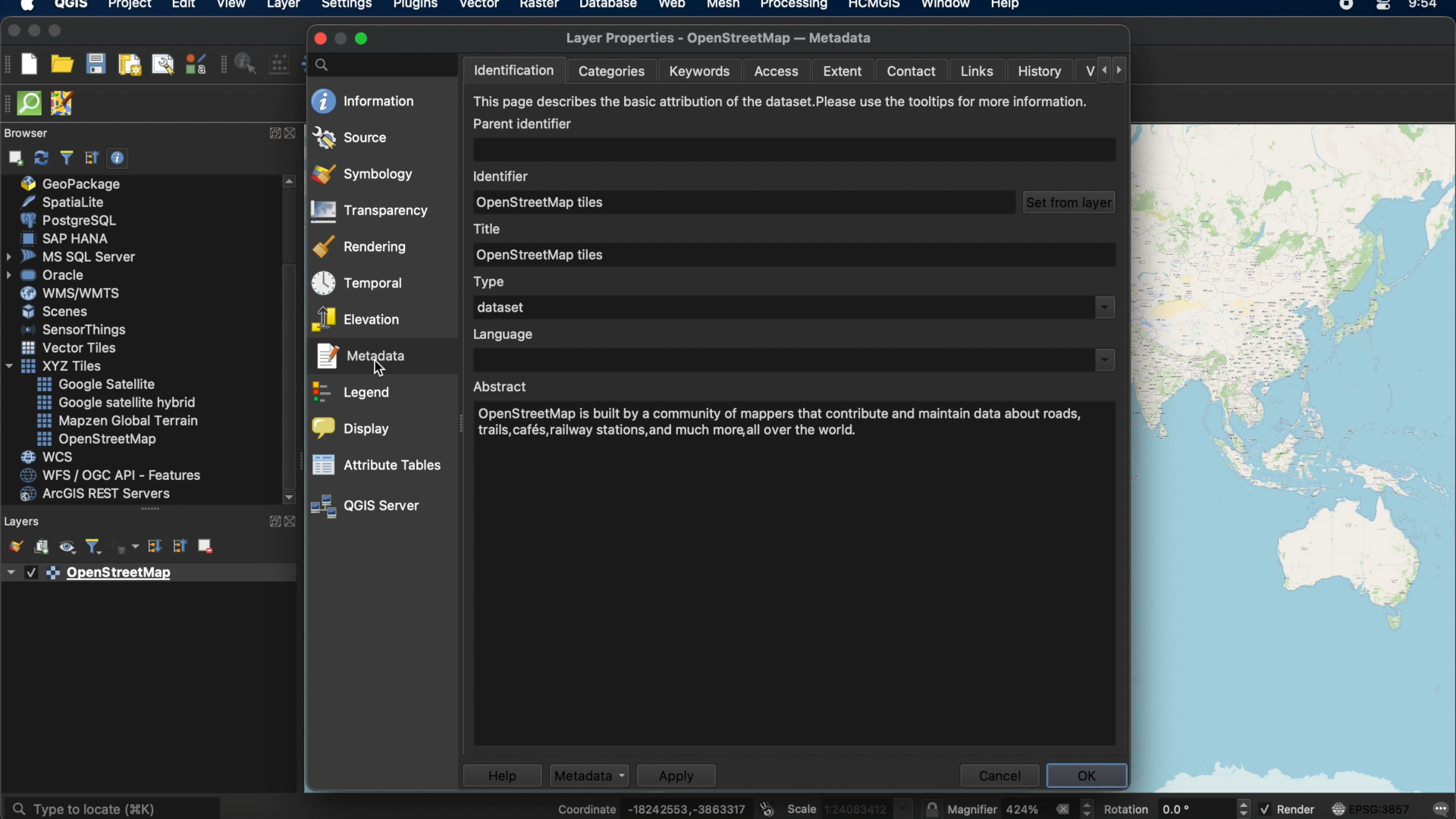 Image resolution: width=1456 pixels, height=819 pixels. What do you see at coordinates (320, 39) in the screenshot?
I see `close` at bounding box center [320, 39].